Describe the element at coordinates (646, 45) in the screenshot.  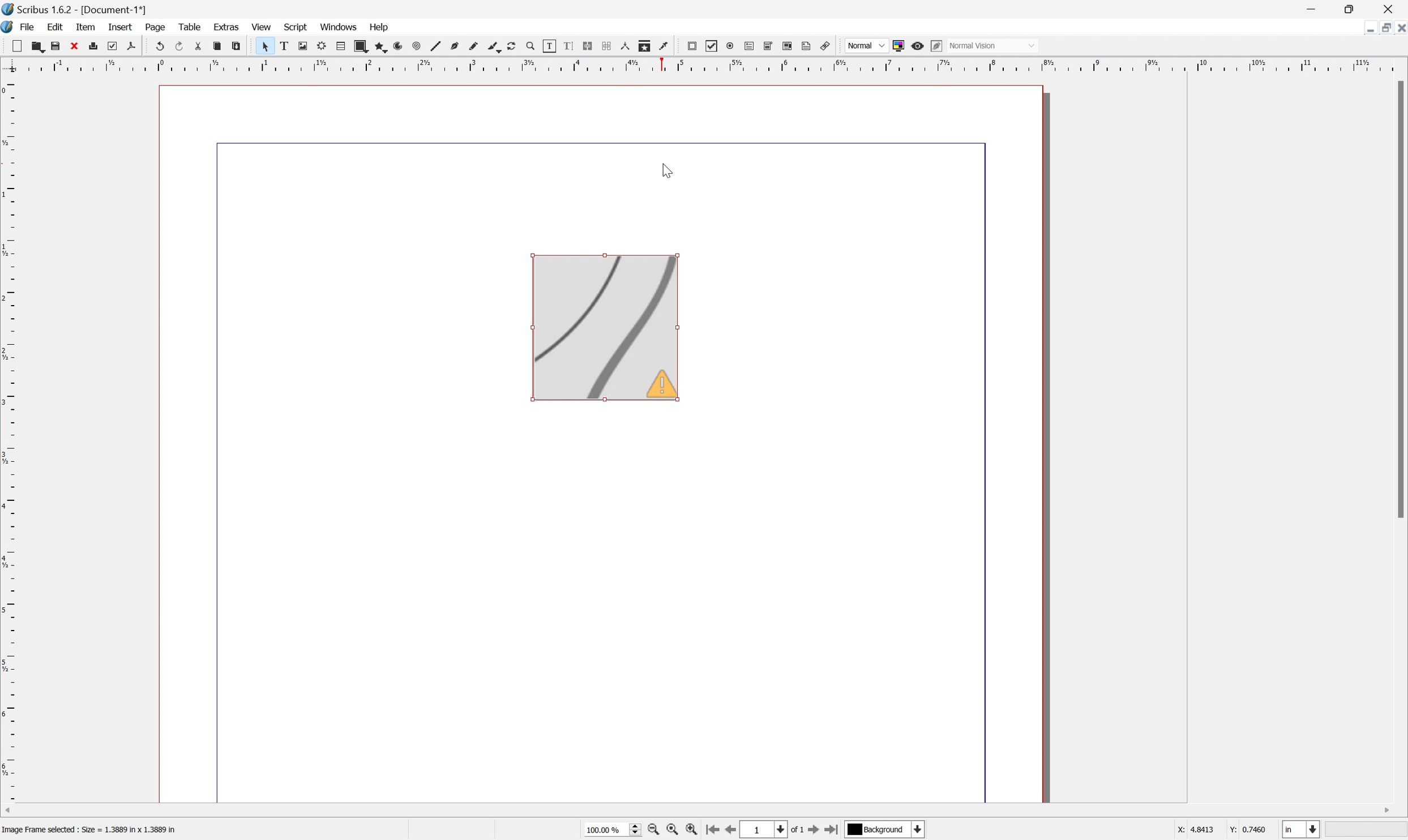
I see `Copy item properties` at that location.